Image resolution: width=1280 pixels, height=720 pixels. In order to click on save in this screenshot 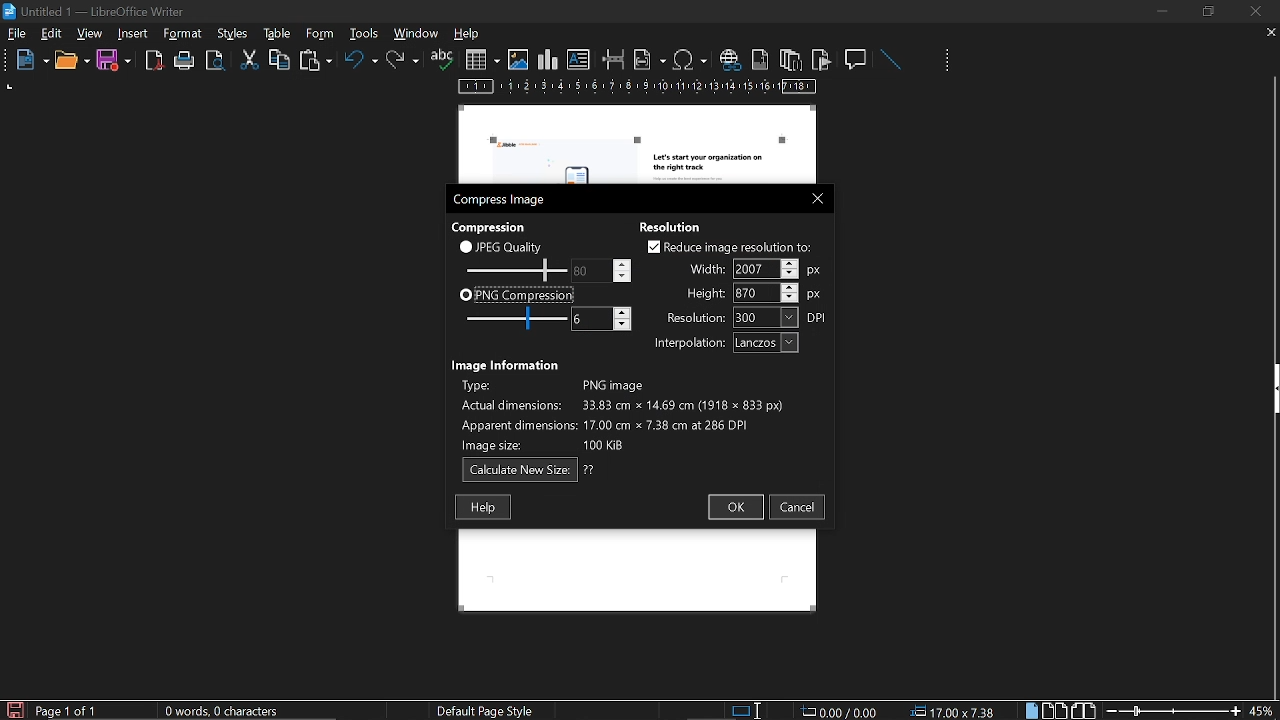, I will do `click(14, 709)`.